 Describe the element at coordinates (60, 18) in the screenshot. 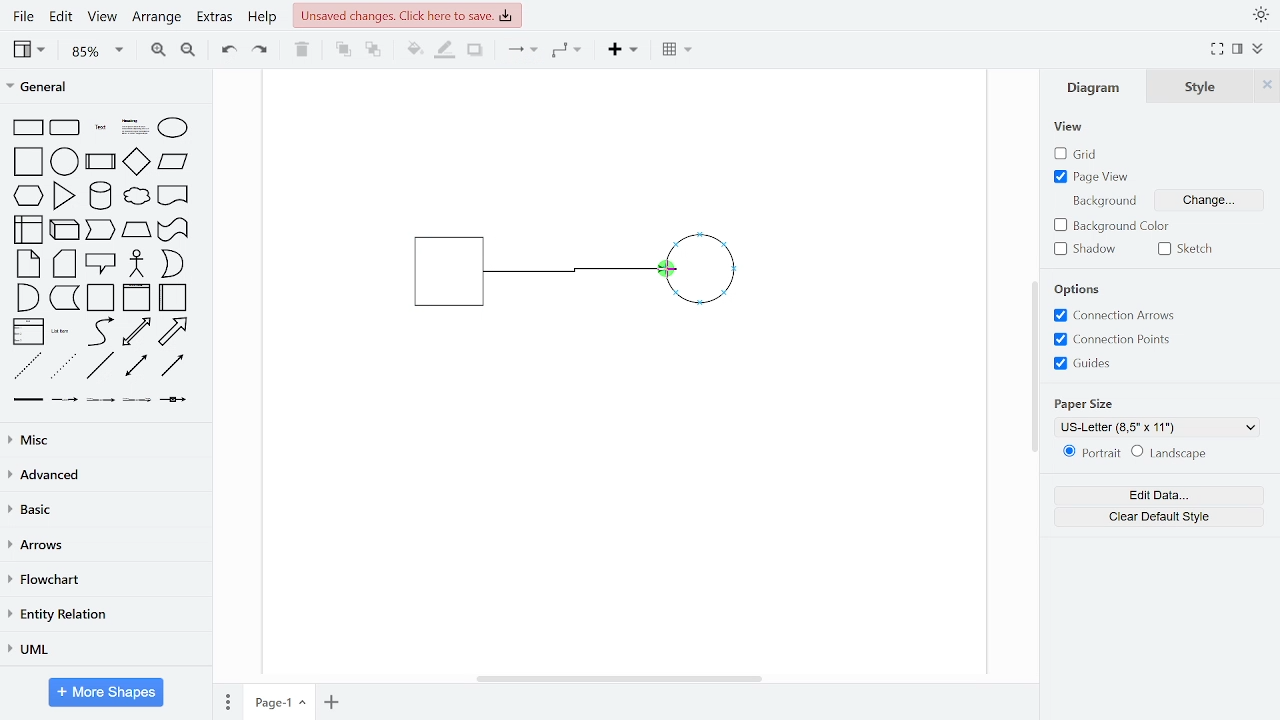

I see `edit` at that location.